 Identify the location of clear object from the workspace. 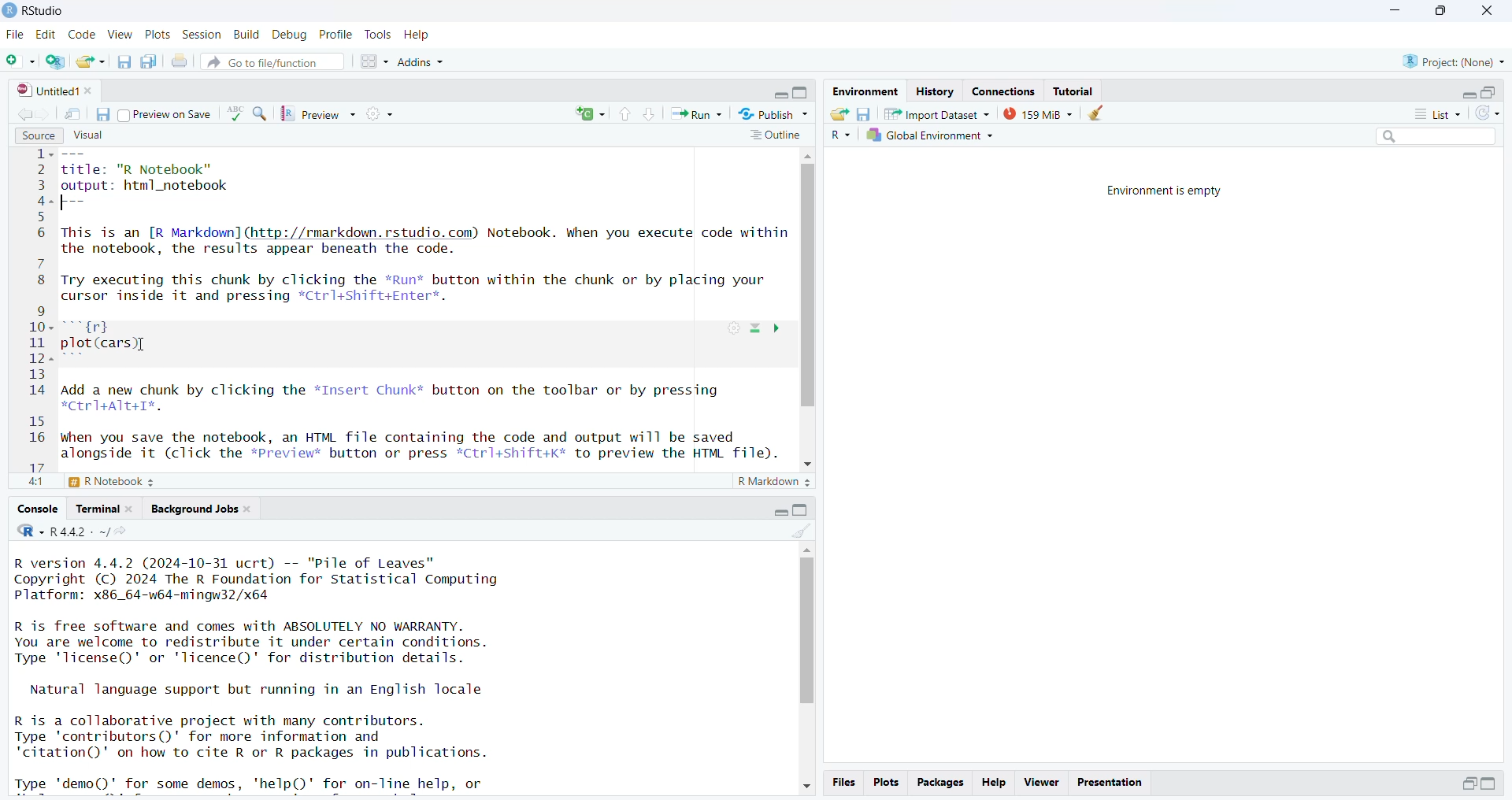
(1099, 113).